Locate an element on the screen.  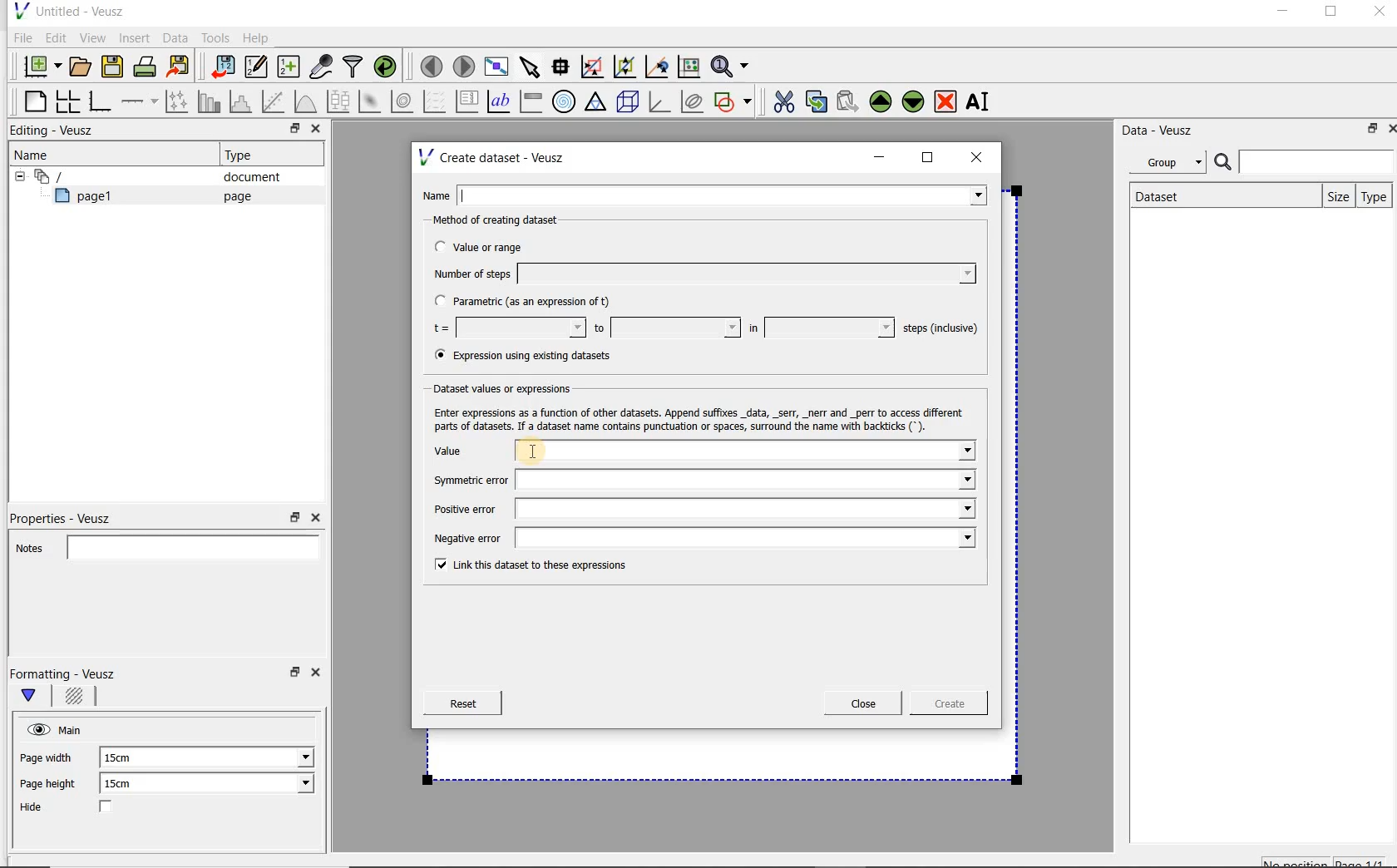
3d graph is located at coordinates (660, 103).